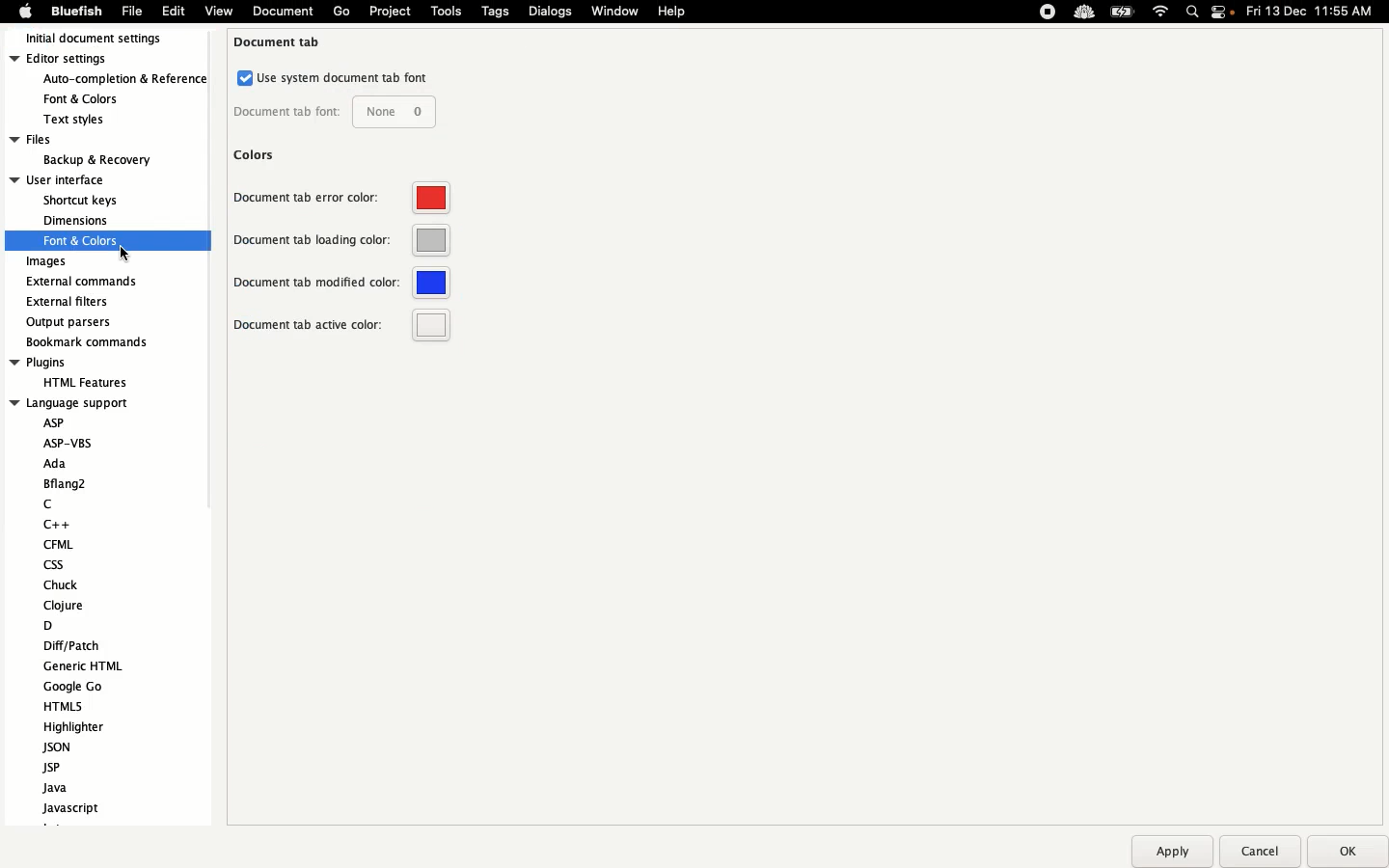  Describe the element at coordinates (94, 615) in the screenshot. I see `Language support` at that location.